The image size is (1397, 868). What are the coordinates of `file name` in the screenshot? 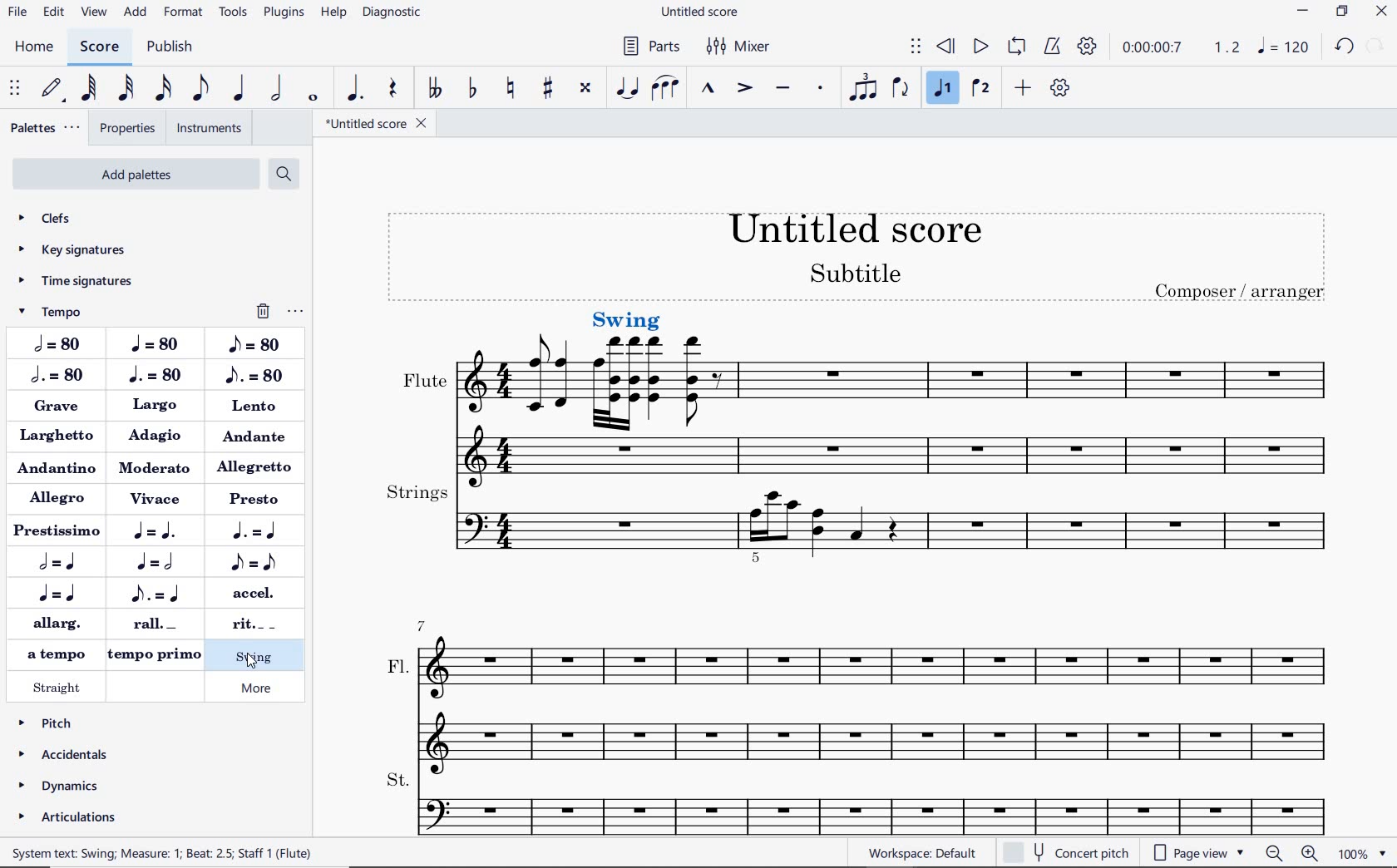 It's located at (704, 11).